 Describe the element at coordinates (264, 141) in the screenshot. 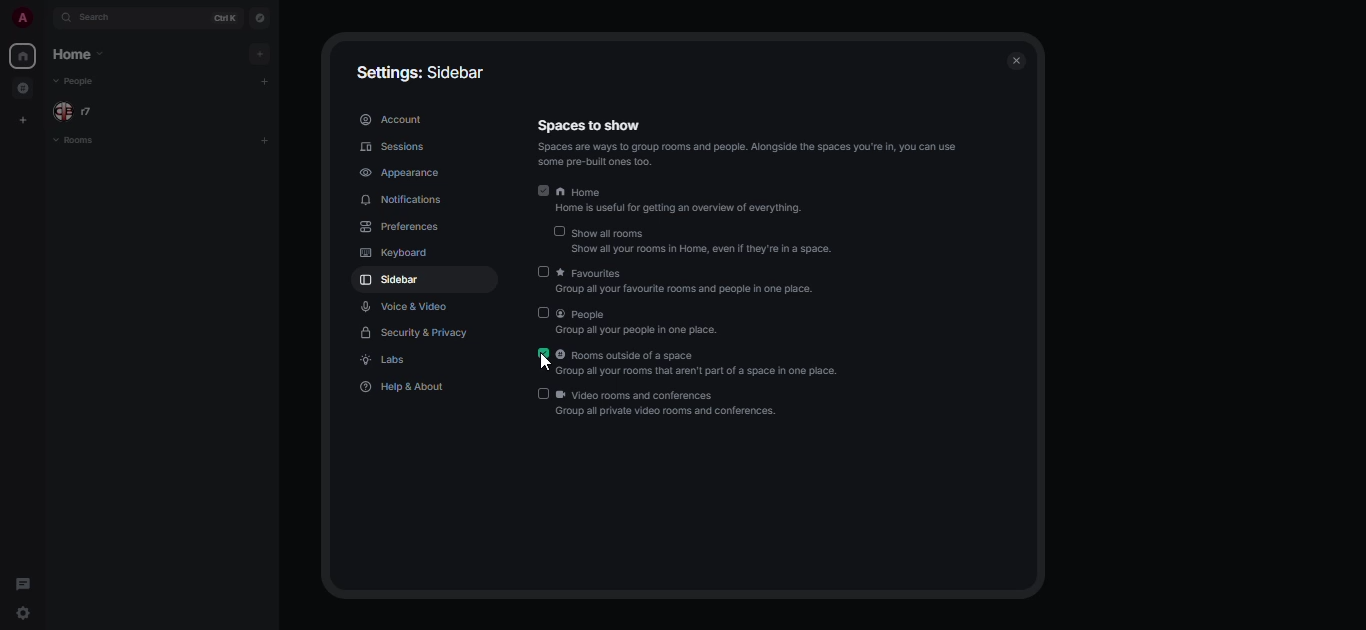

I see `add` at that location.